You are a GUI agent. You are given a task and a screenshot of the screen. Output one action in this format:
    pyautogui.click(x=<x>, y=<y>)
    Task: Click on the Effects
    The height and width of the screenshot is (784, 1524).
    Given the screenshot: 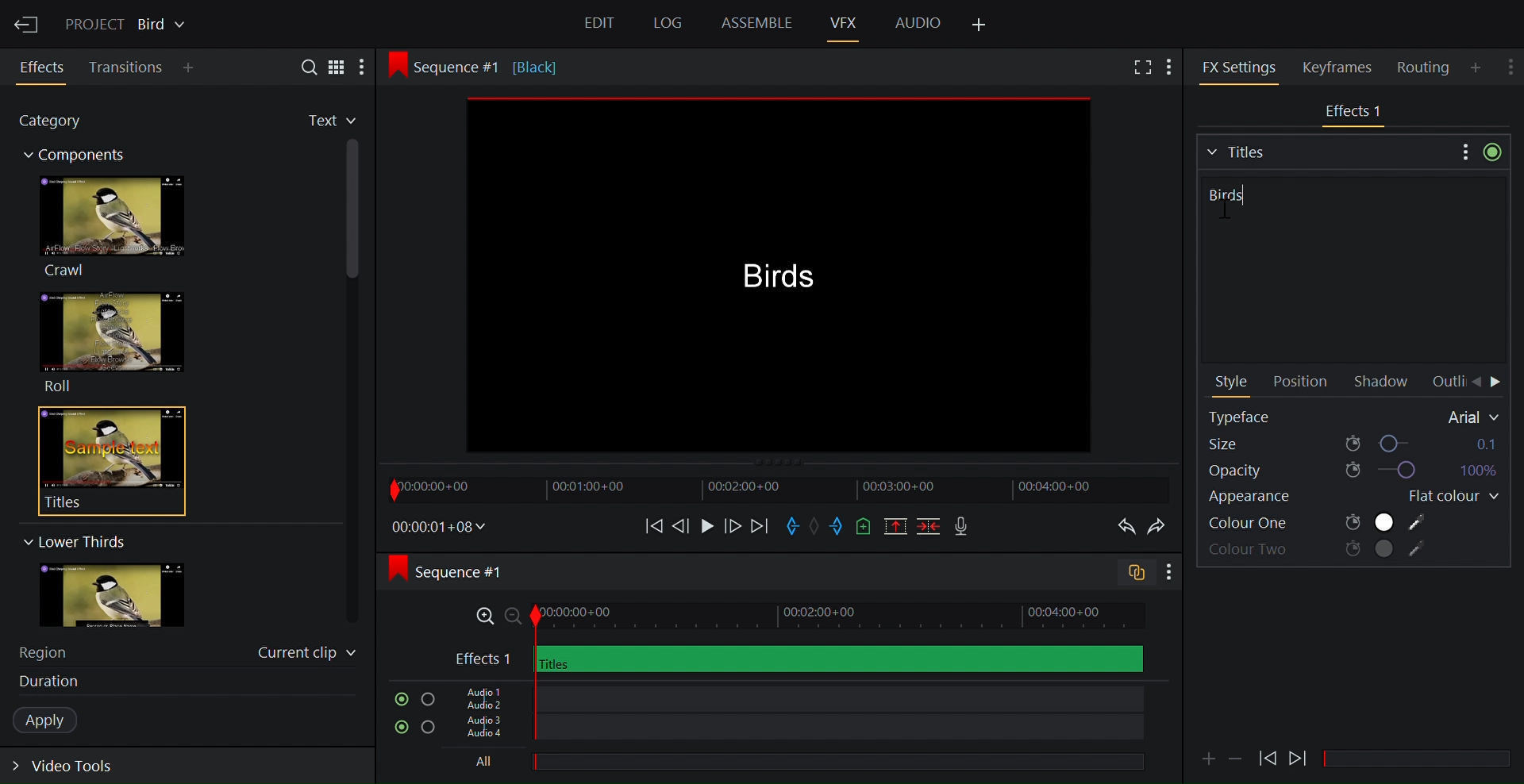 What is the action you would take?
    pyautogui.click(x=44, y=67)
    